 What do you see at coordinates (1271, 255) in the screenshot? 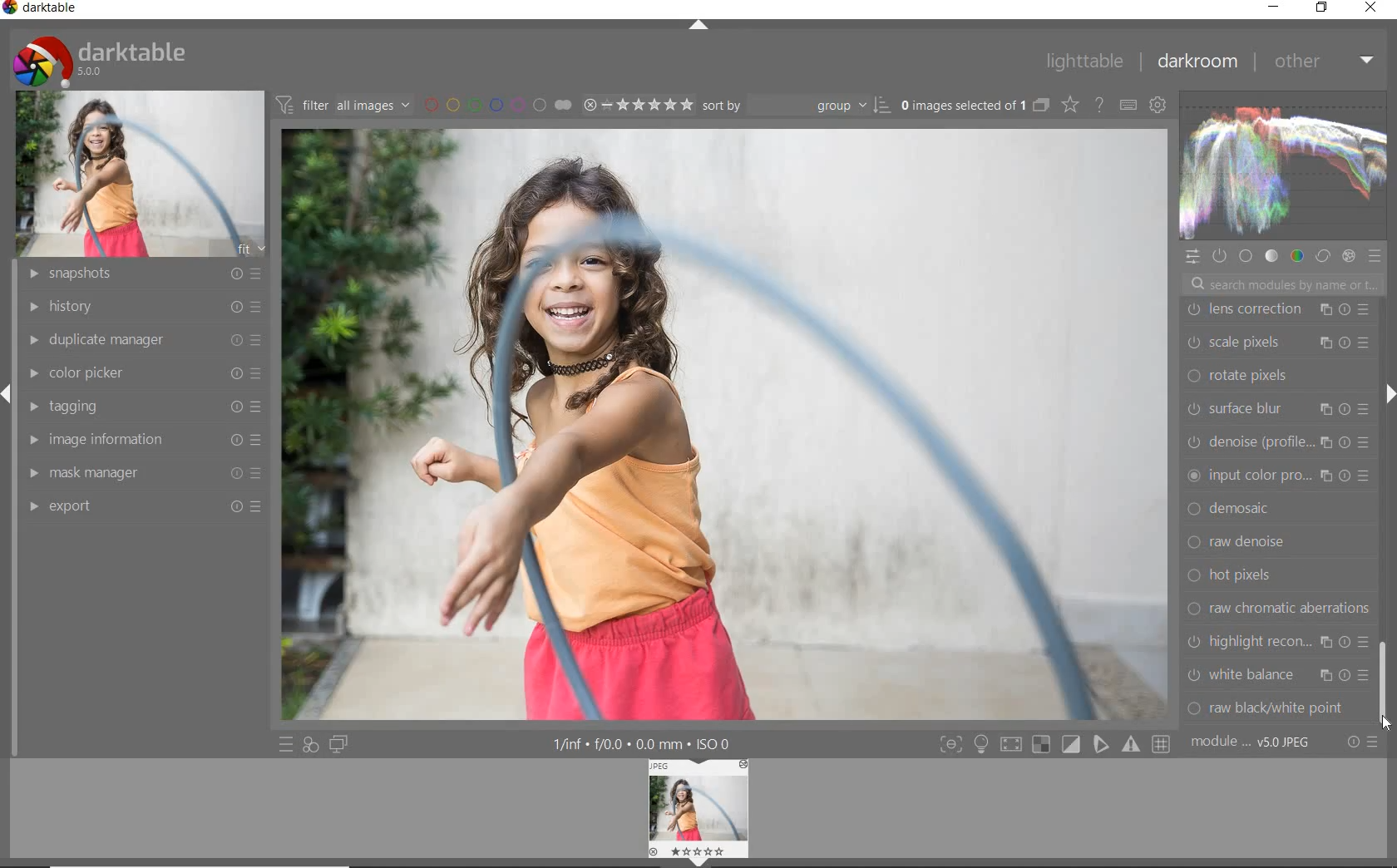
I see `tone` at bounding box center [1271, 255].